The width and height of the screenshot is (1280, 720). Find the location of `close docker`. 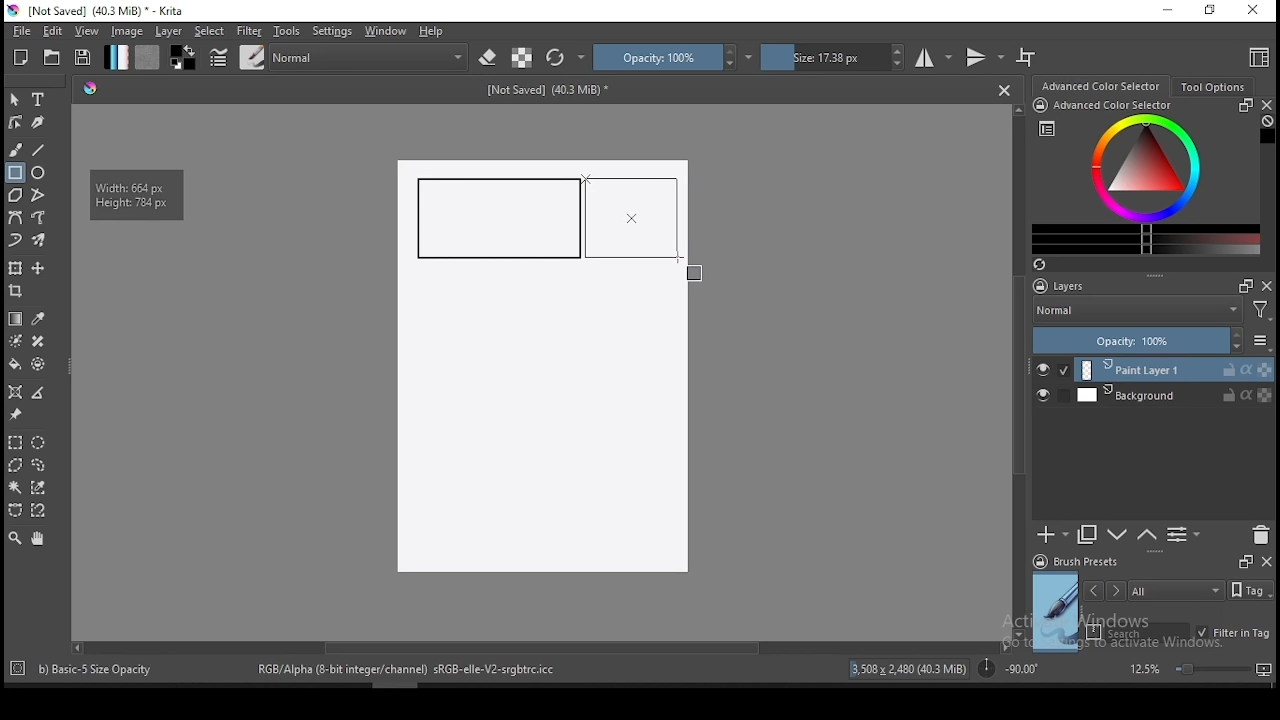

close docker is located at coordinates (1266, 560).